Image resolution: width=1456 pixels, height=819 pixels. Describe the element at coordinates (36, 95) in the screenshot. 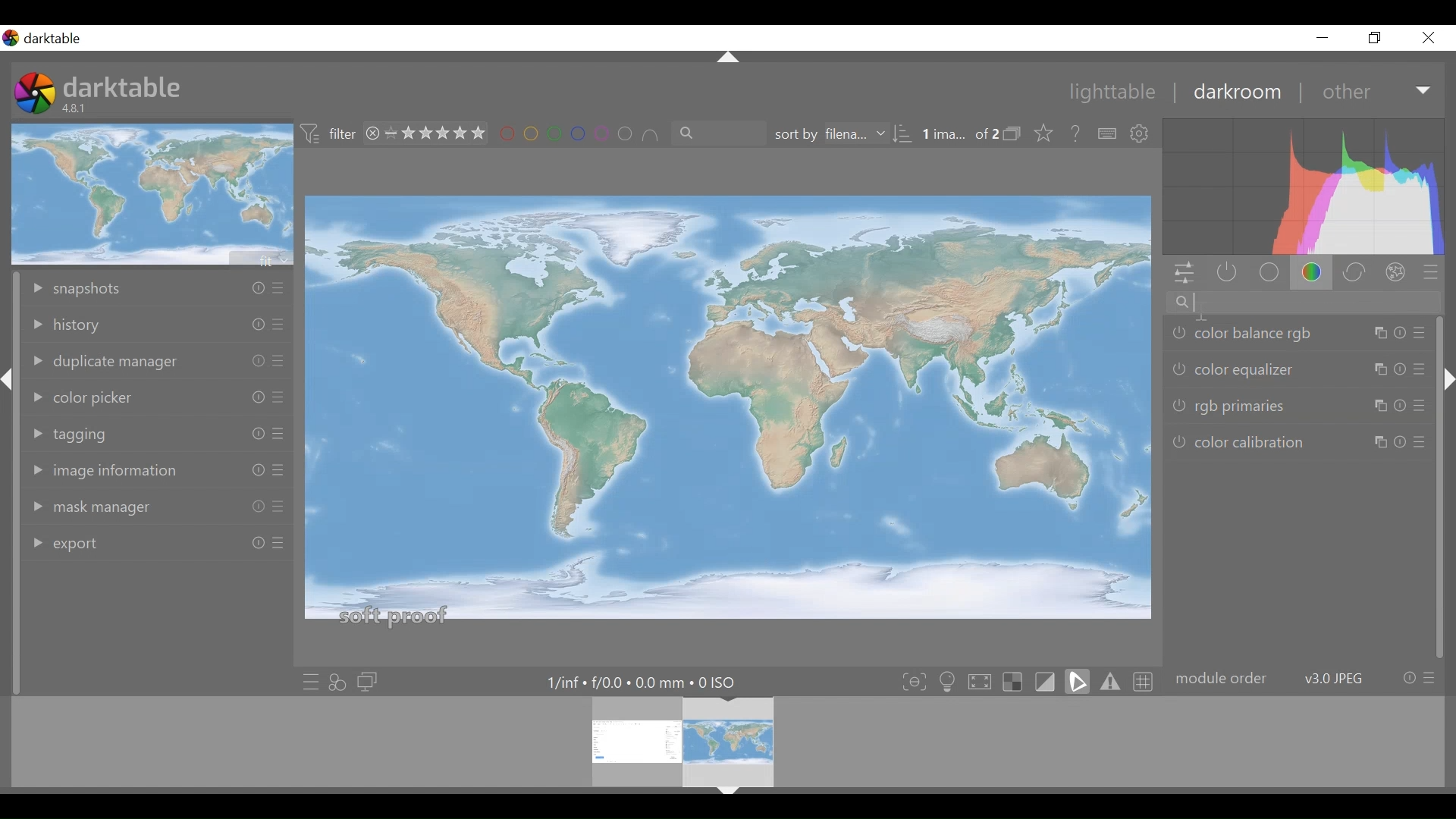

I see `Darktable Desktop Icon` at that location.